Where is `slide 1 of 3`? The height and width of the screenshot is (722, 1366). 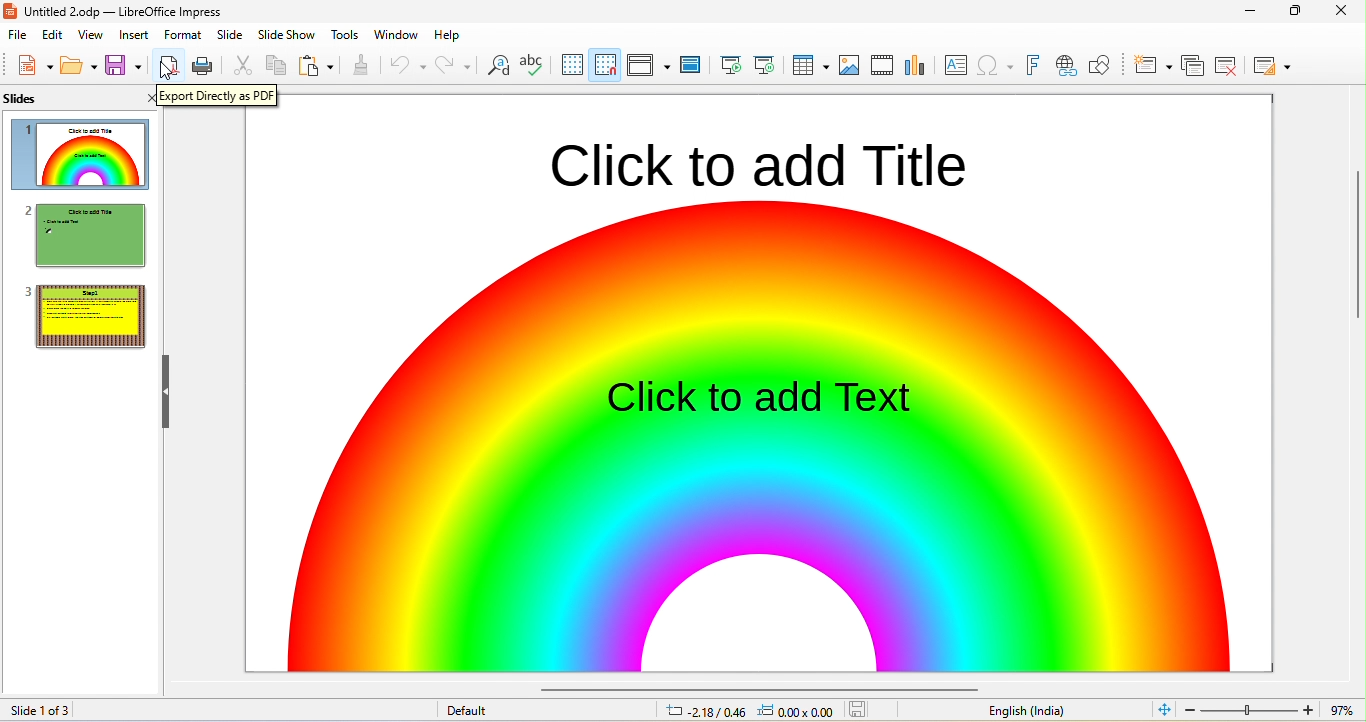 slide 1 of 3 is located at coordinates (73, 710).